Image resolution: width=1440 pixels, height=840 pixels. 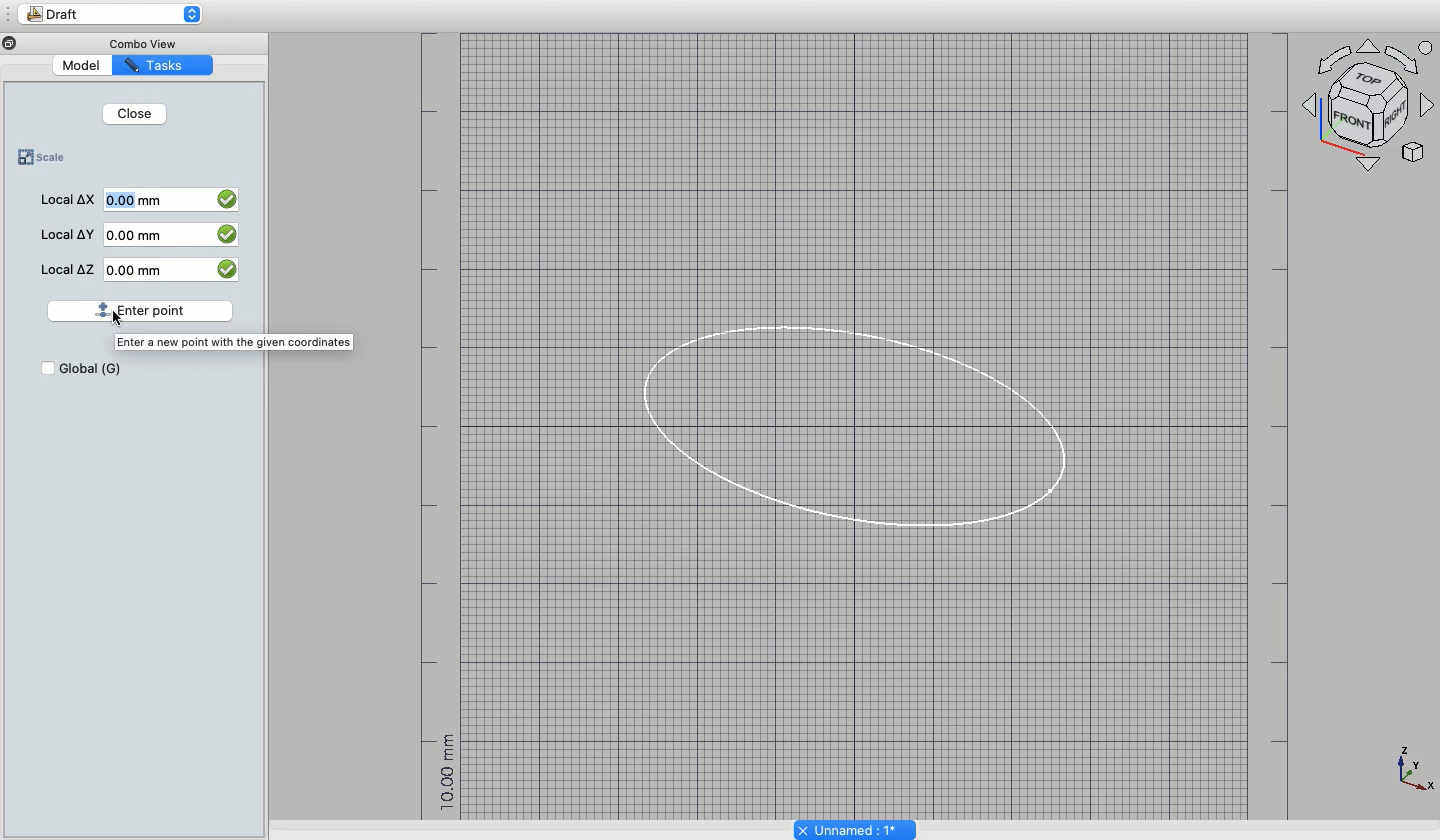 I want to click on 0.00 mm, so click(x=170, y=199).